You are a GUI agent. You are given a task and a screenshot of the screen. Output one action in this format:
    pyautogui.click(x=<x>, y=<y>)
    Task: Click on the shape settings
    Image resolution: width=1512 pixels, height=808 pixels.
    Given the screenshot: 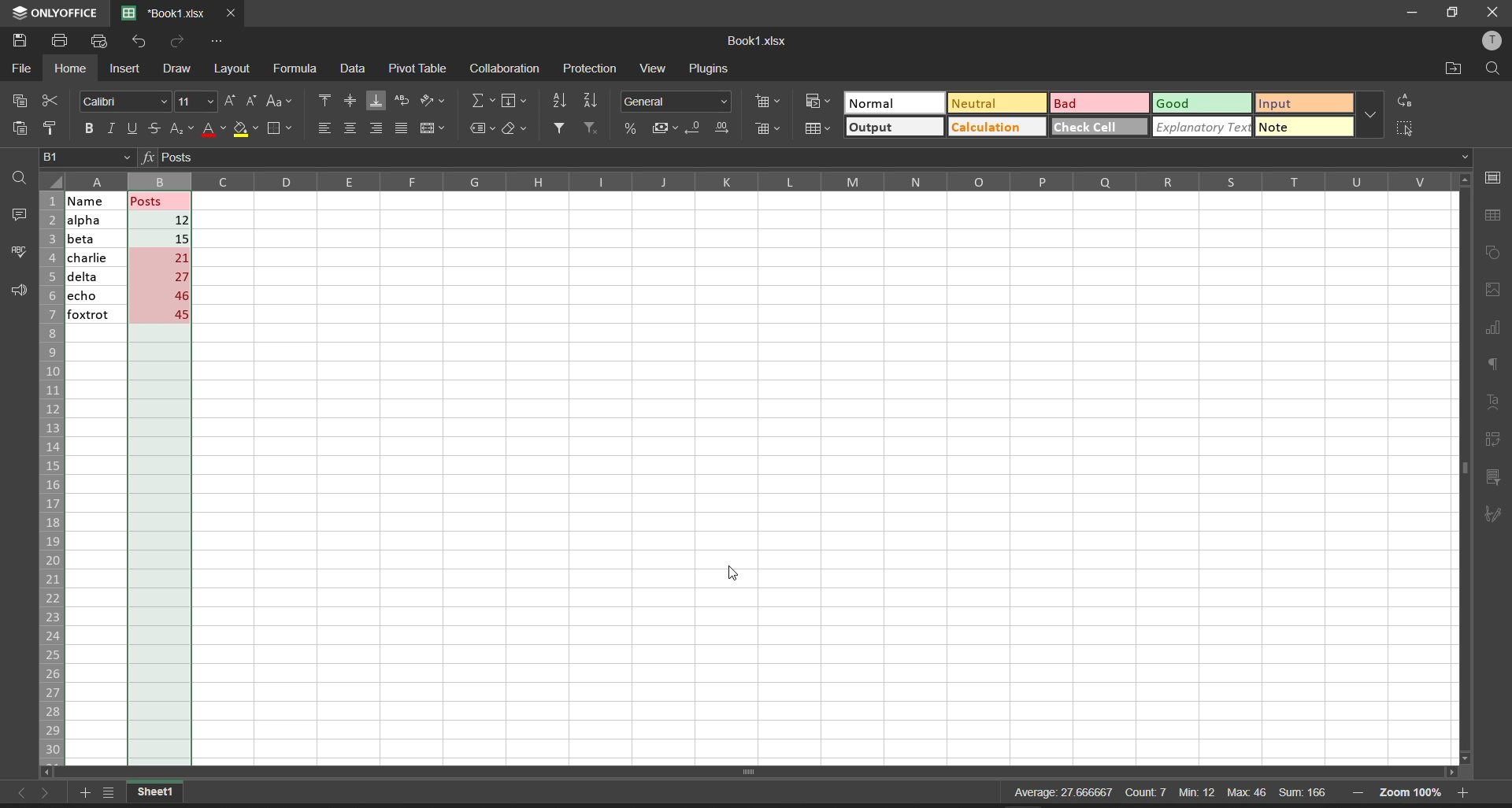 What is the action you would take?
    pyautogui.click(x=1499, y=251)
    